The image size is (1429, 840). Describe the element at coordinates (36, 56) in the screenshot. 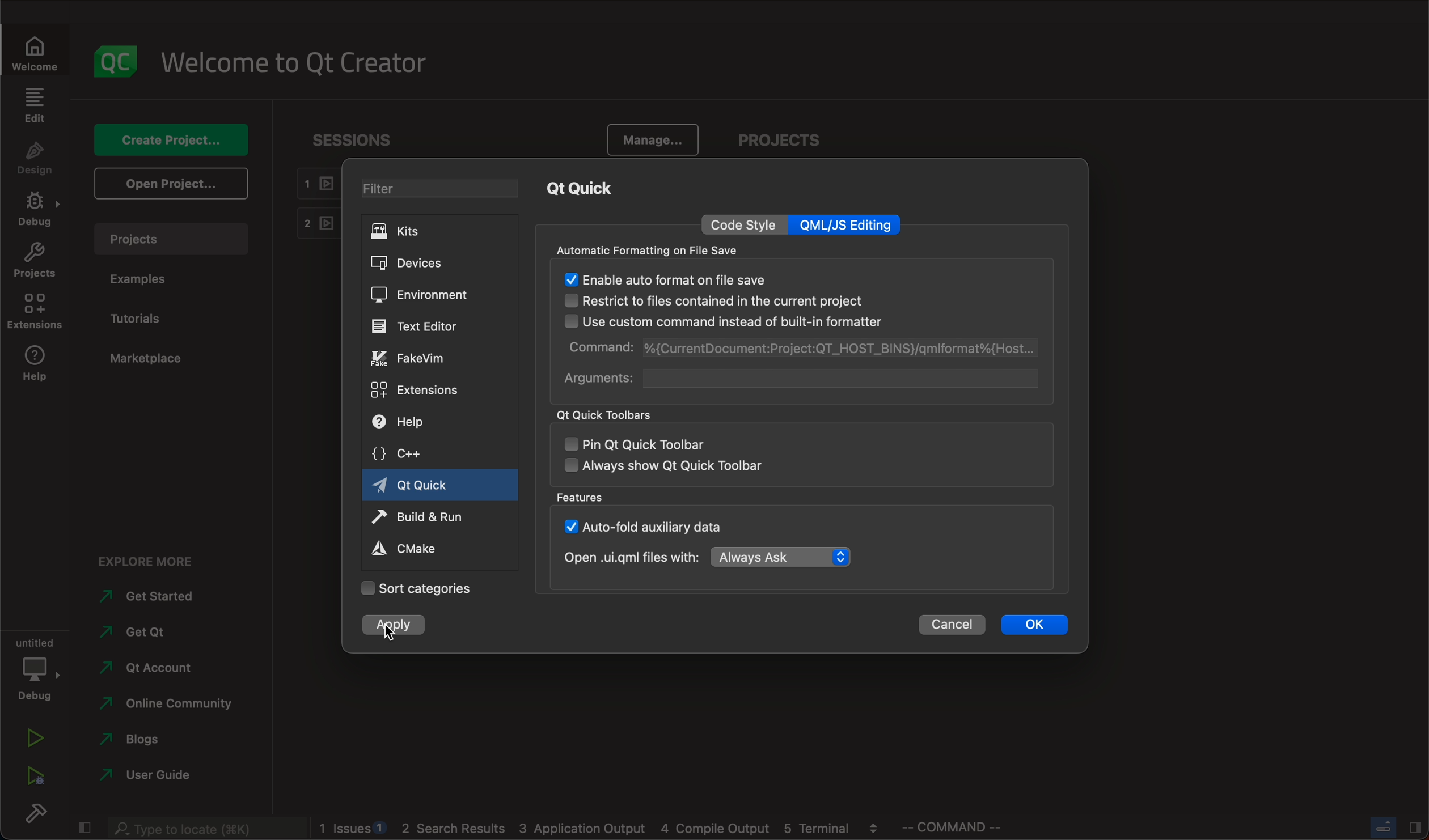

I see `WELCOME` at that location.